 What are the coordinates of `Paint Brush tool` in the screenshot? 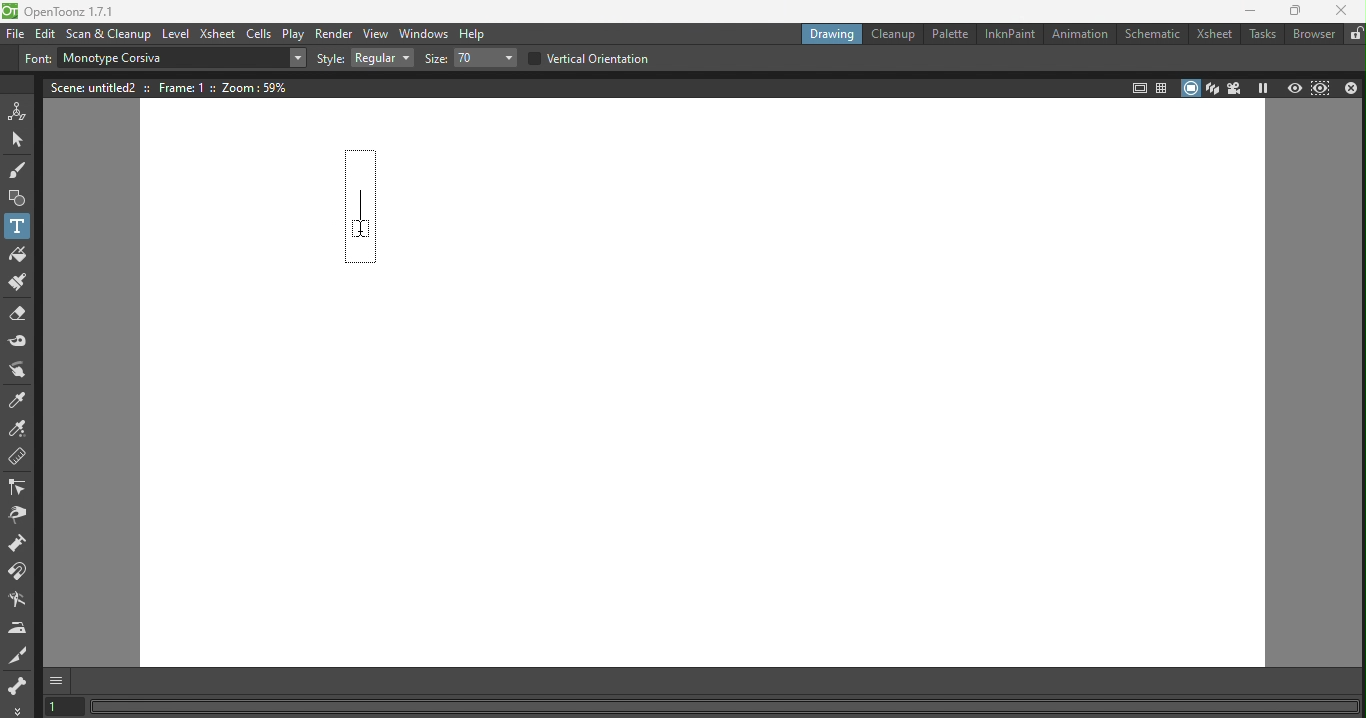 It's located at (21, 283).